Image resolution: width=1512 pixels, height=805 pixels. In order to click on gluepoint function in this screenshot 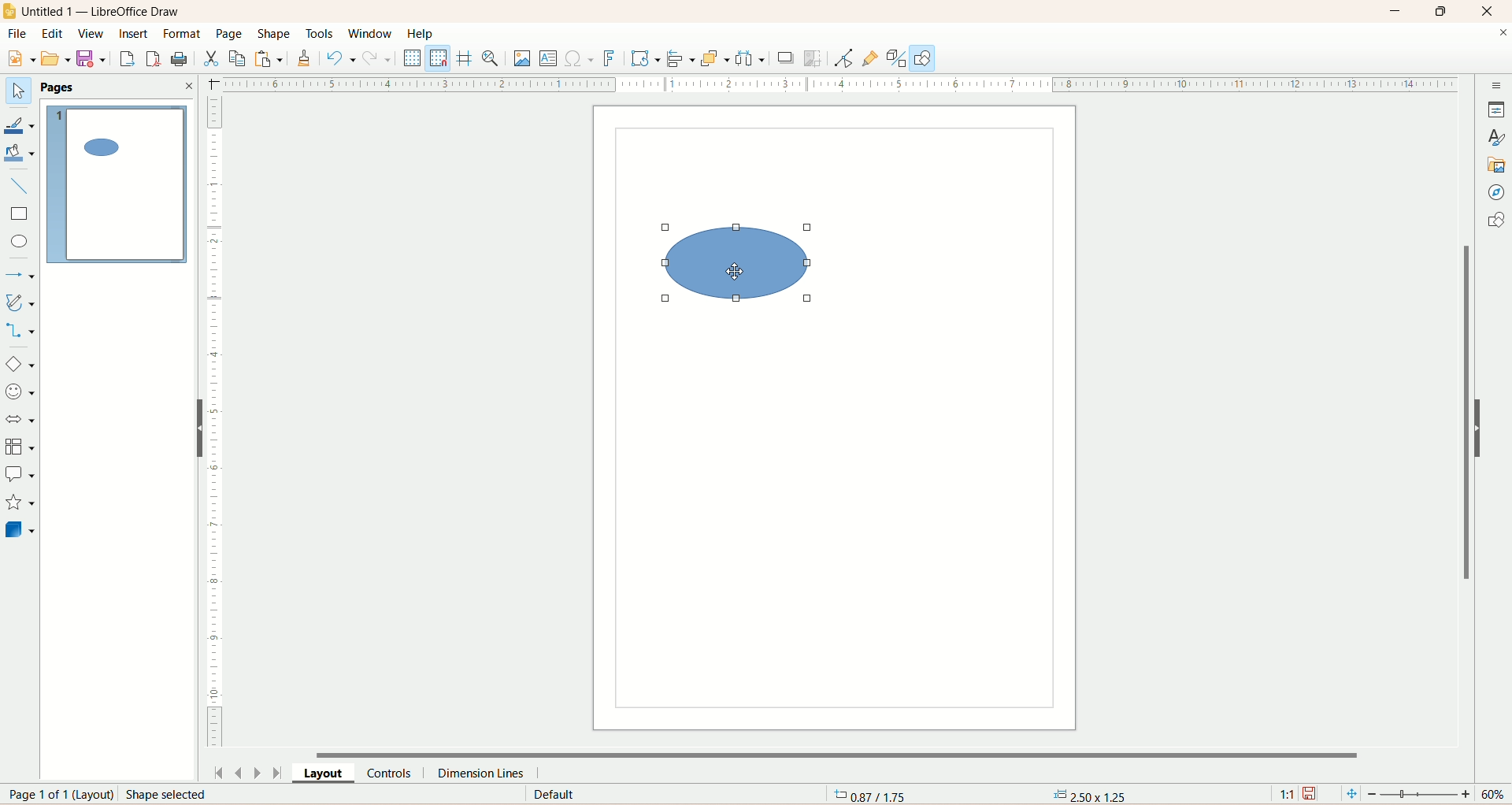, I will do `click(873, 58)`.